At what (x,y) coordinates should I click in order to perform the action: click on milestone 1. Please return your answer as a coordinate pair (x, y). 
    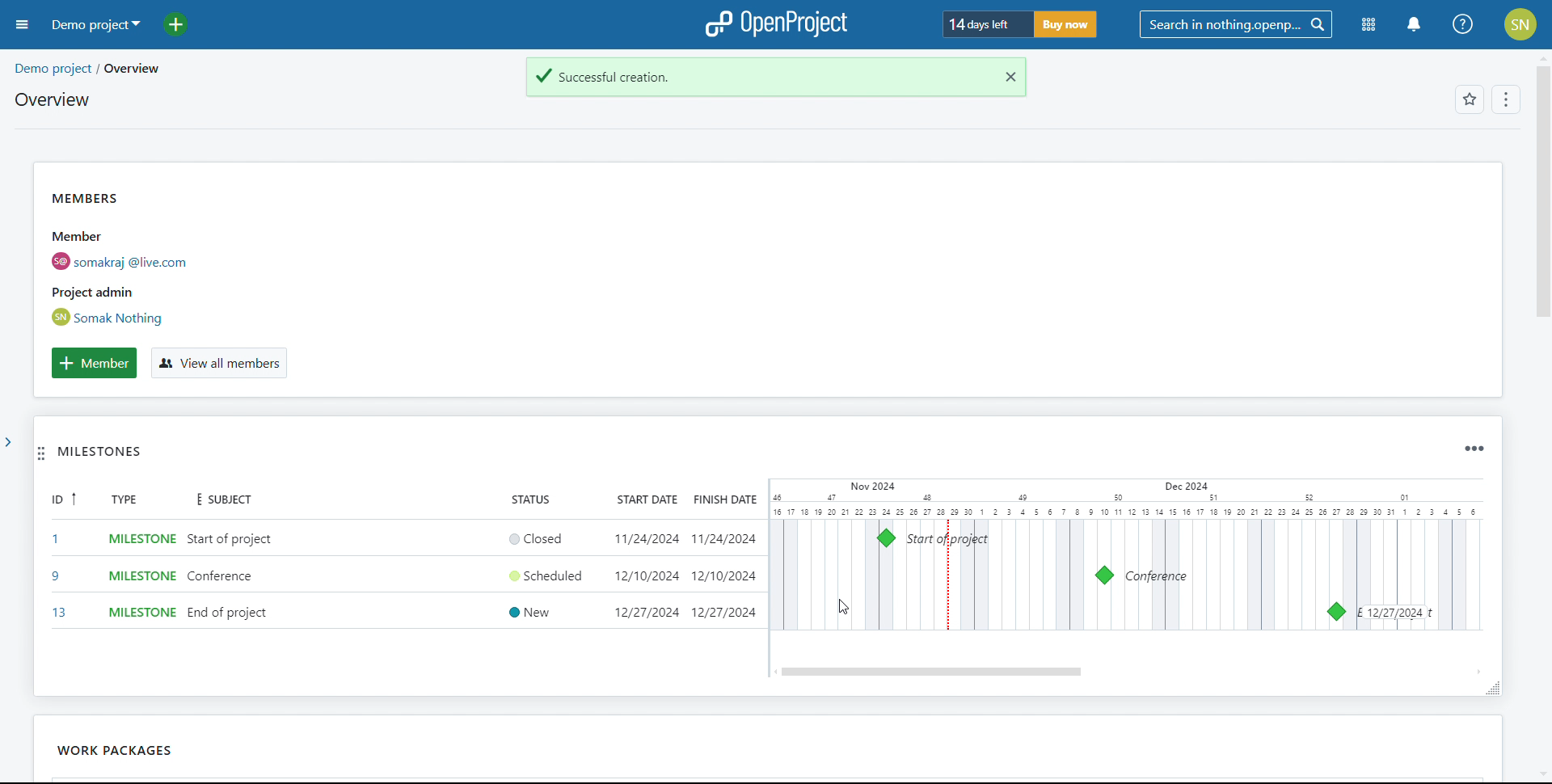
    Looking at the image, I should click on (886, 538).